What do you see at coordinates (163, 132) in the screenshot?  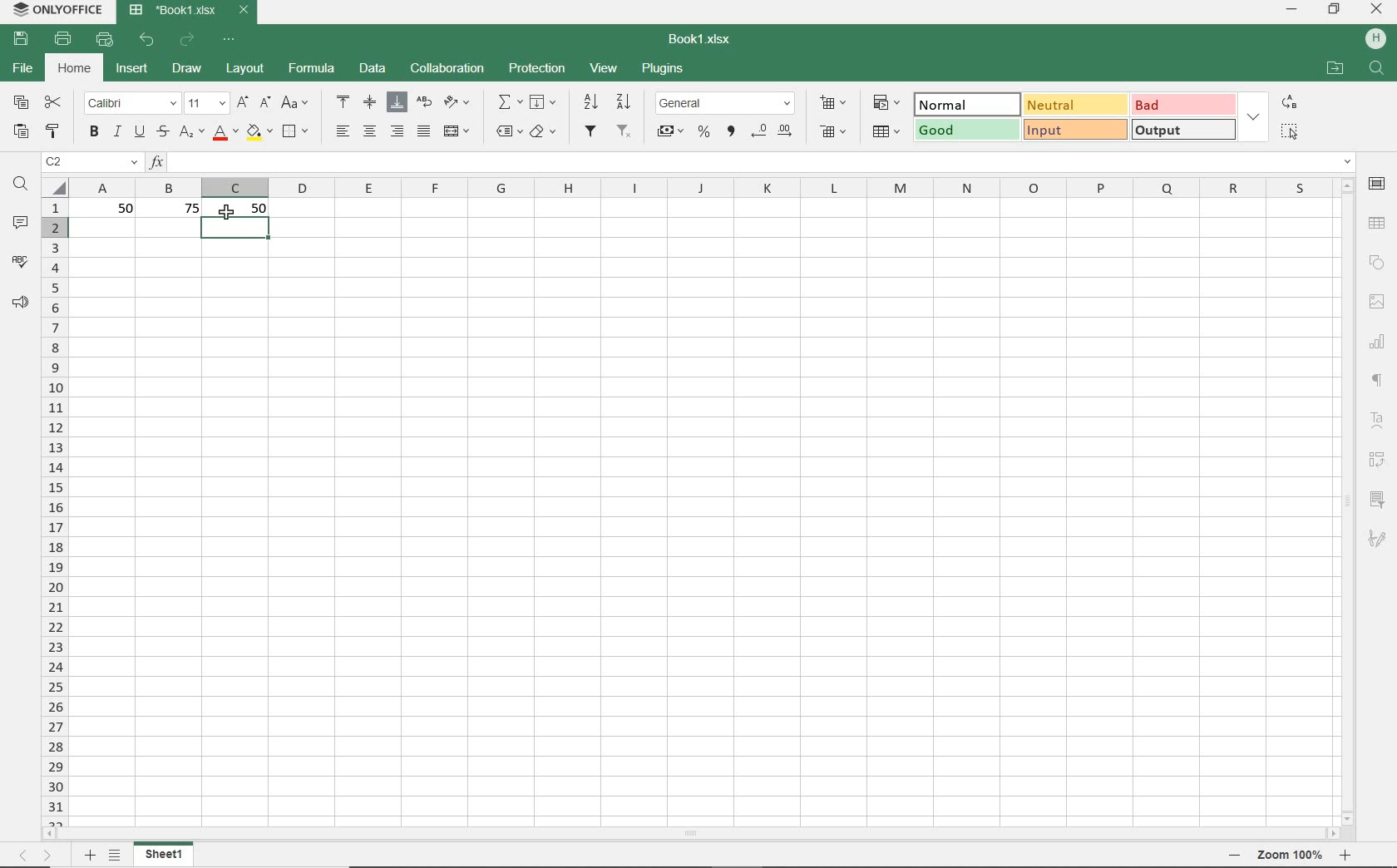 I see `strikethrough` at bounding box center [163, 132].